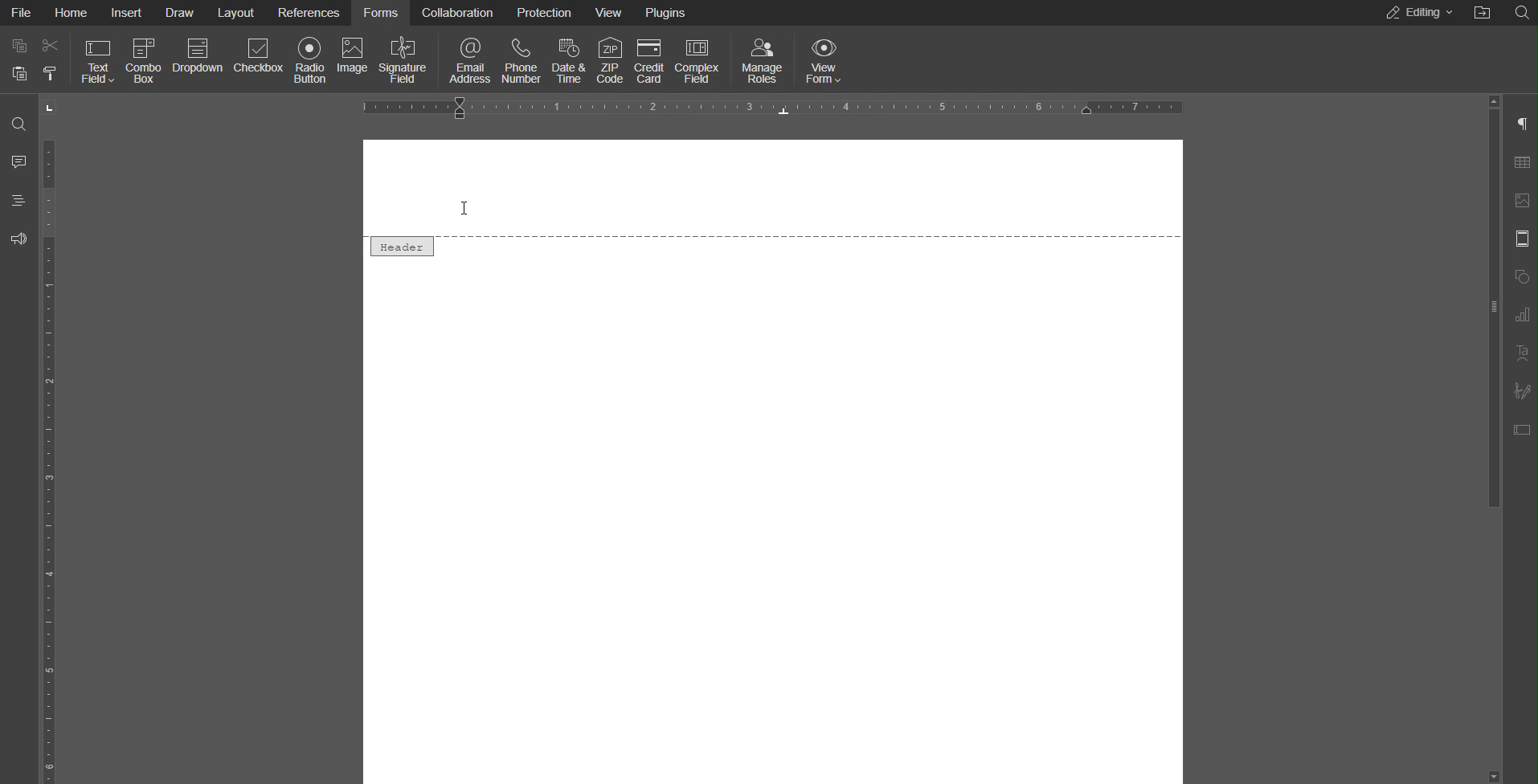 This screenshot has width=1538, height=784. Describe the element at coordinates (1520, 429) in the screenshot. I see `Form Settings` at that location.